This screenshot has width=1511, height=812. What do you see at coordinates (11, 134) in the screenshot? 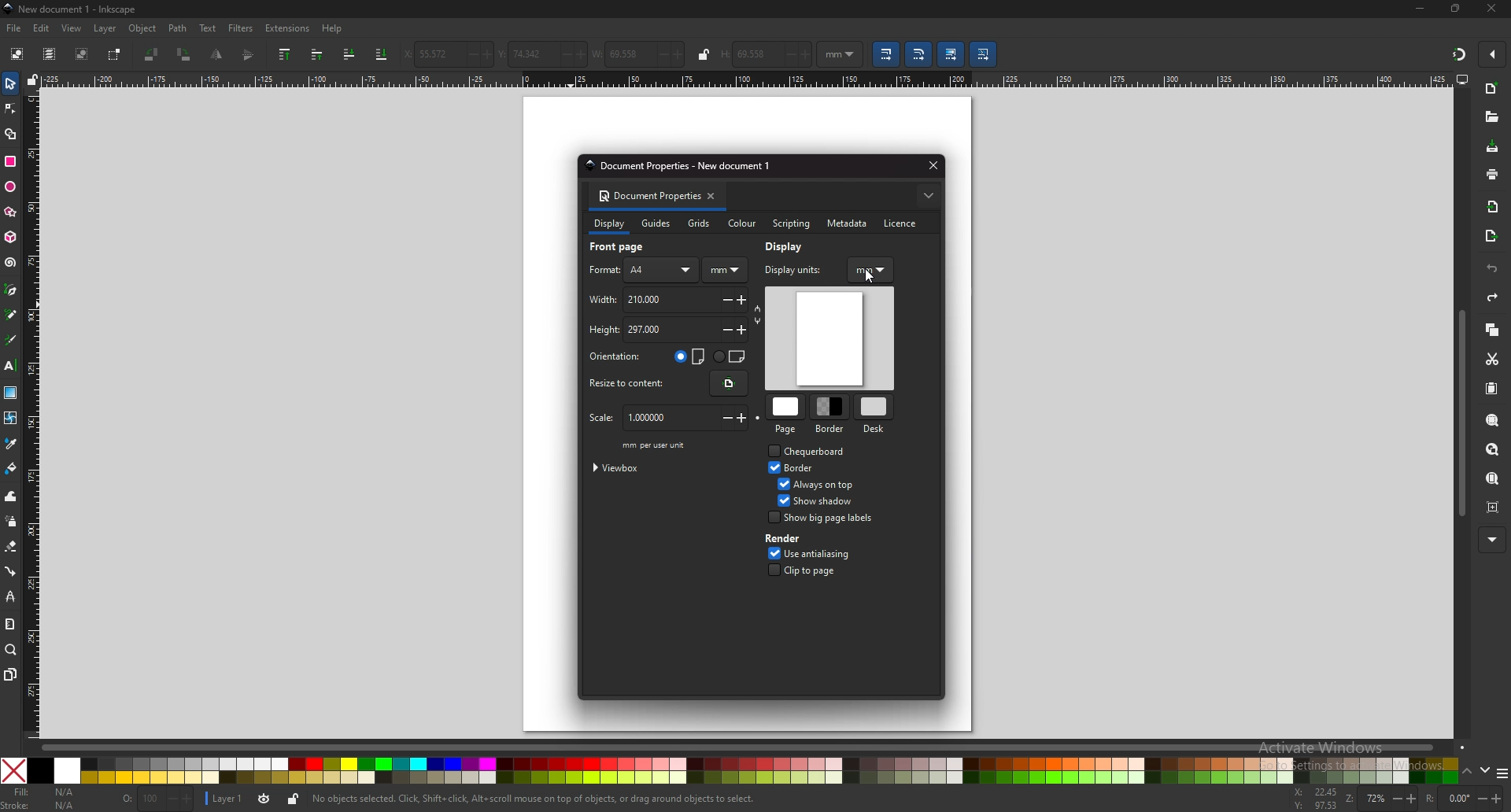
I see `shape builder` at bounding box center [11, 134].